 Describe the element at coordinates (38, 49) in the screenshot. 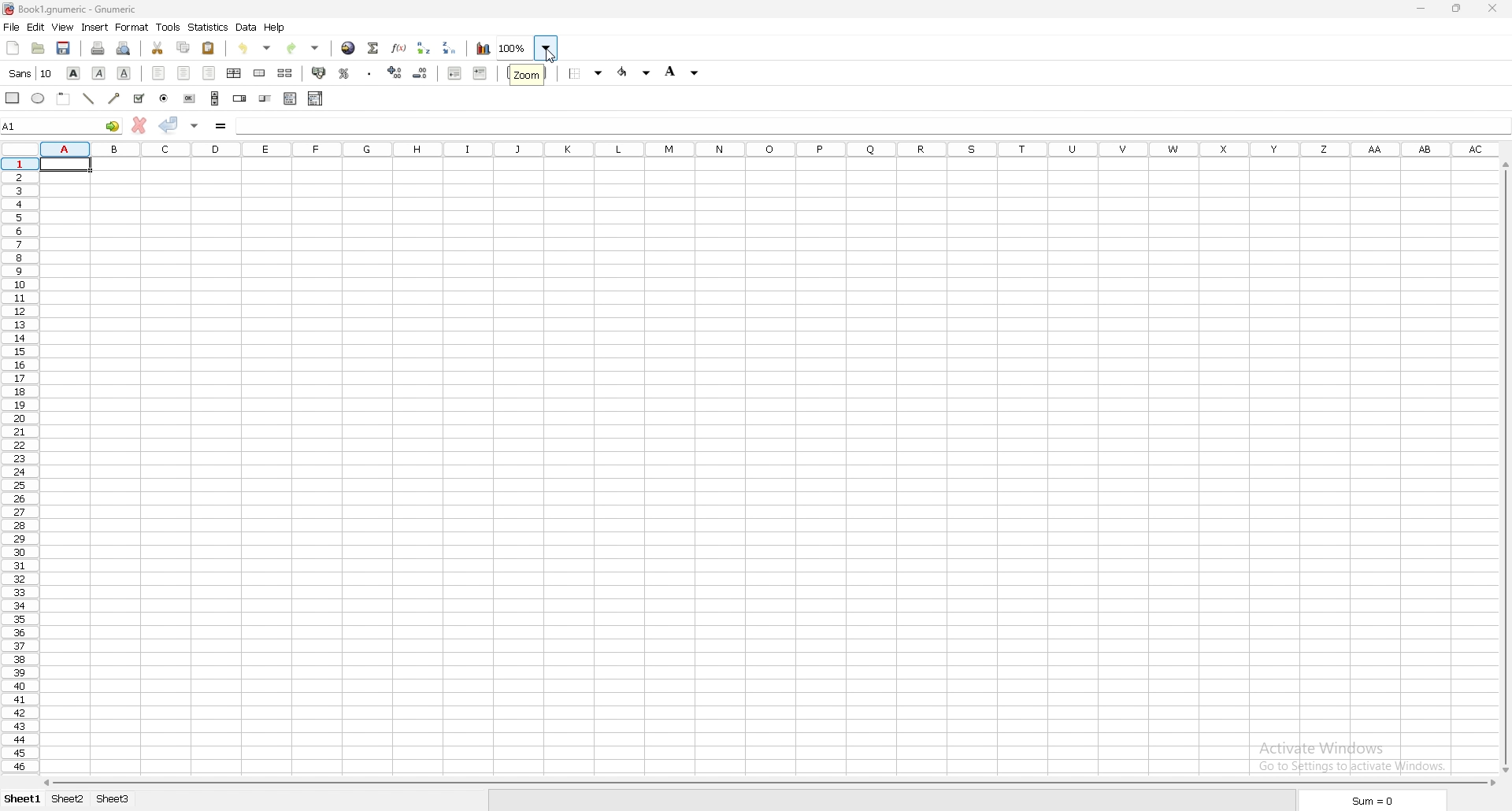

I see `open` at that location.